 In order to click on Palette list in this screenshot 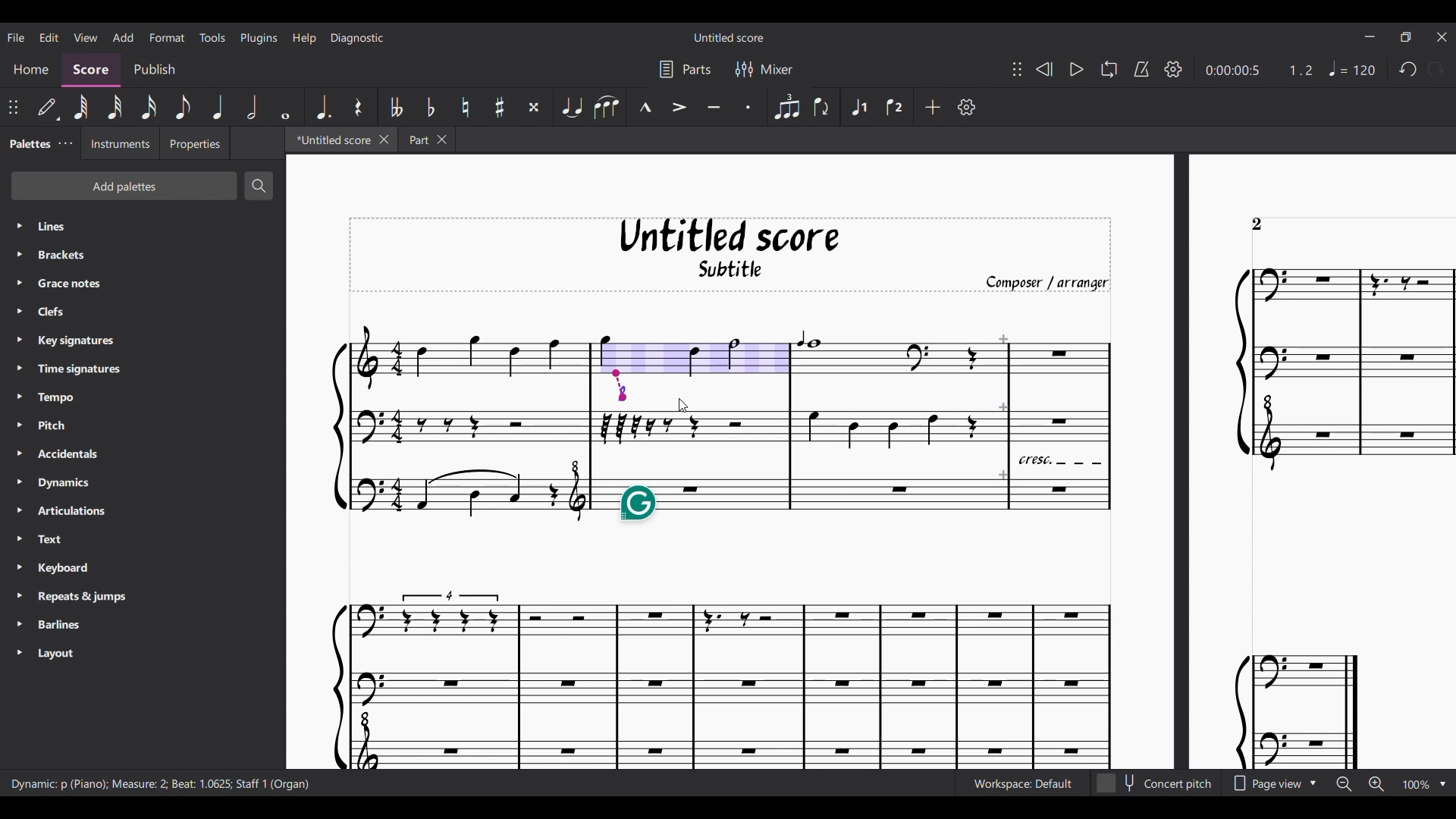, I will do `click(157, 441)`.